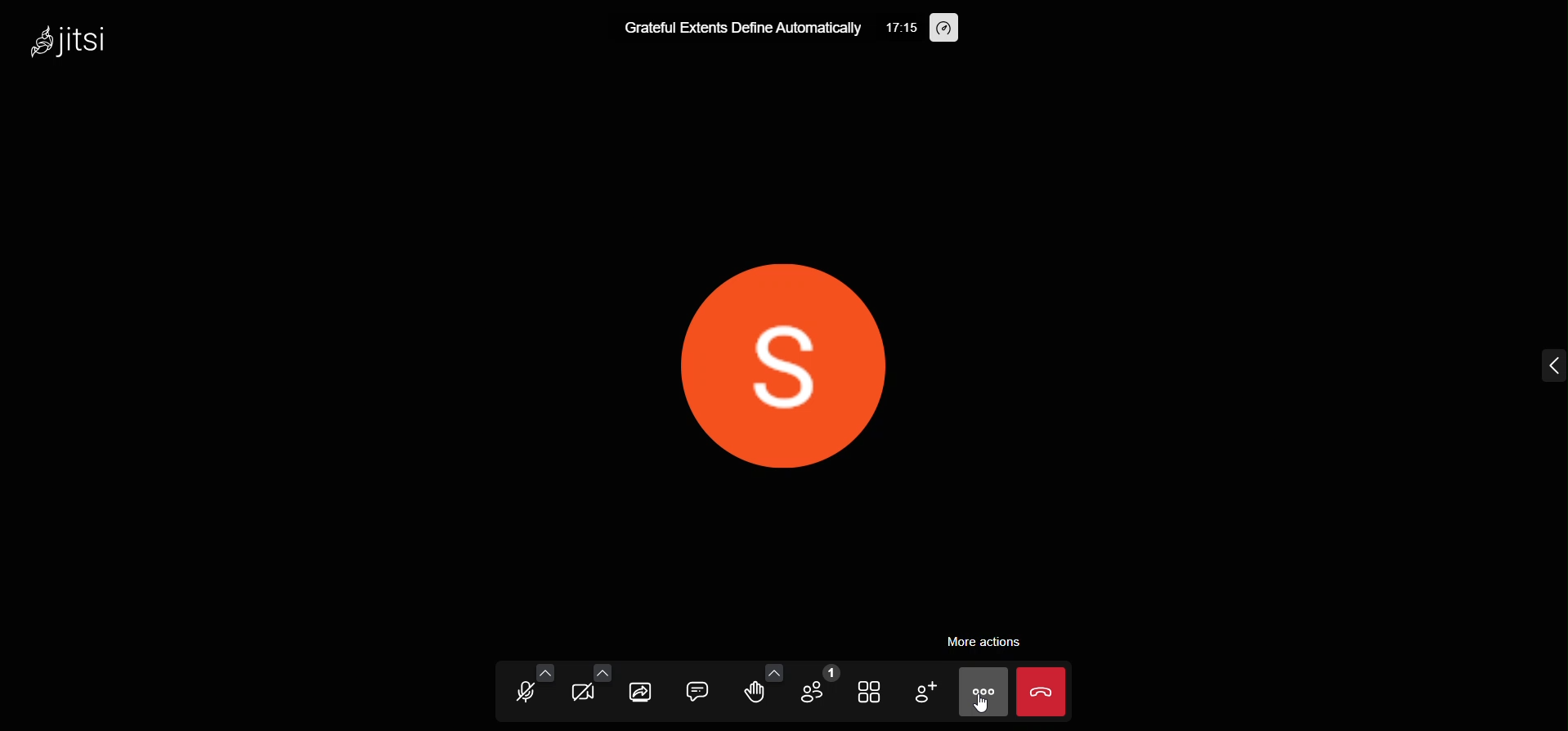 The height and width of the screenshot is (731, 1568). What do you see at coordinates (692, 691) in the screenshot?
I see `chat` at bounding box center [692, 691].